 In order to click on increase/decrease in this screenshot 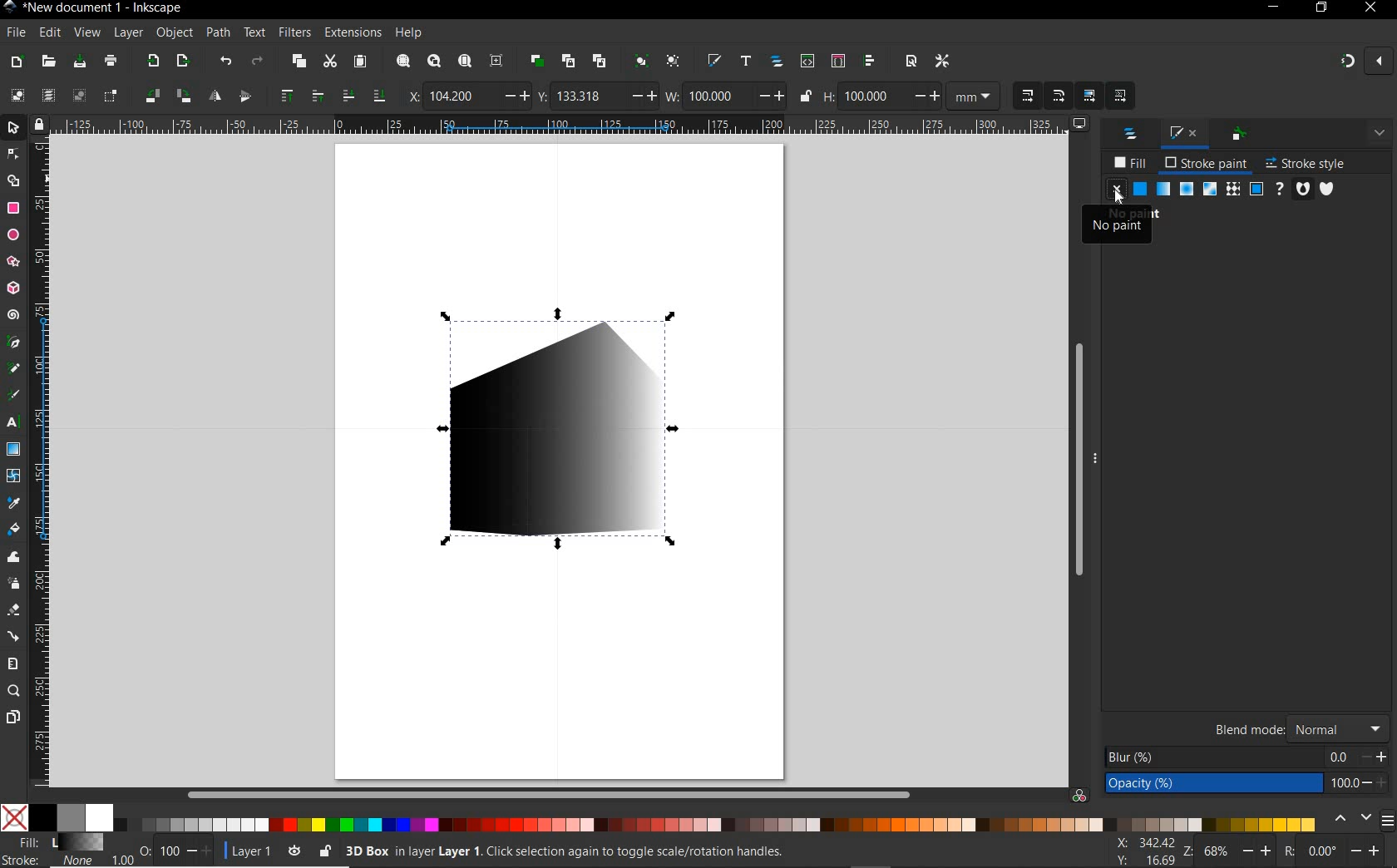, I will do `click(1370, 851)`.